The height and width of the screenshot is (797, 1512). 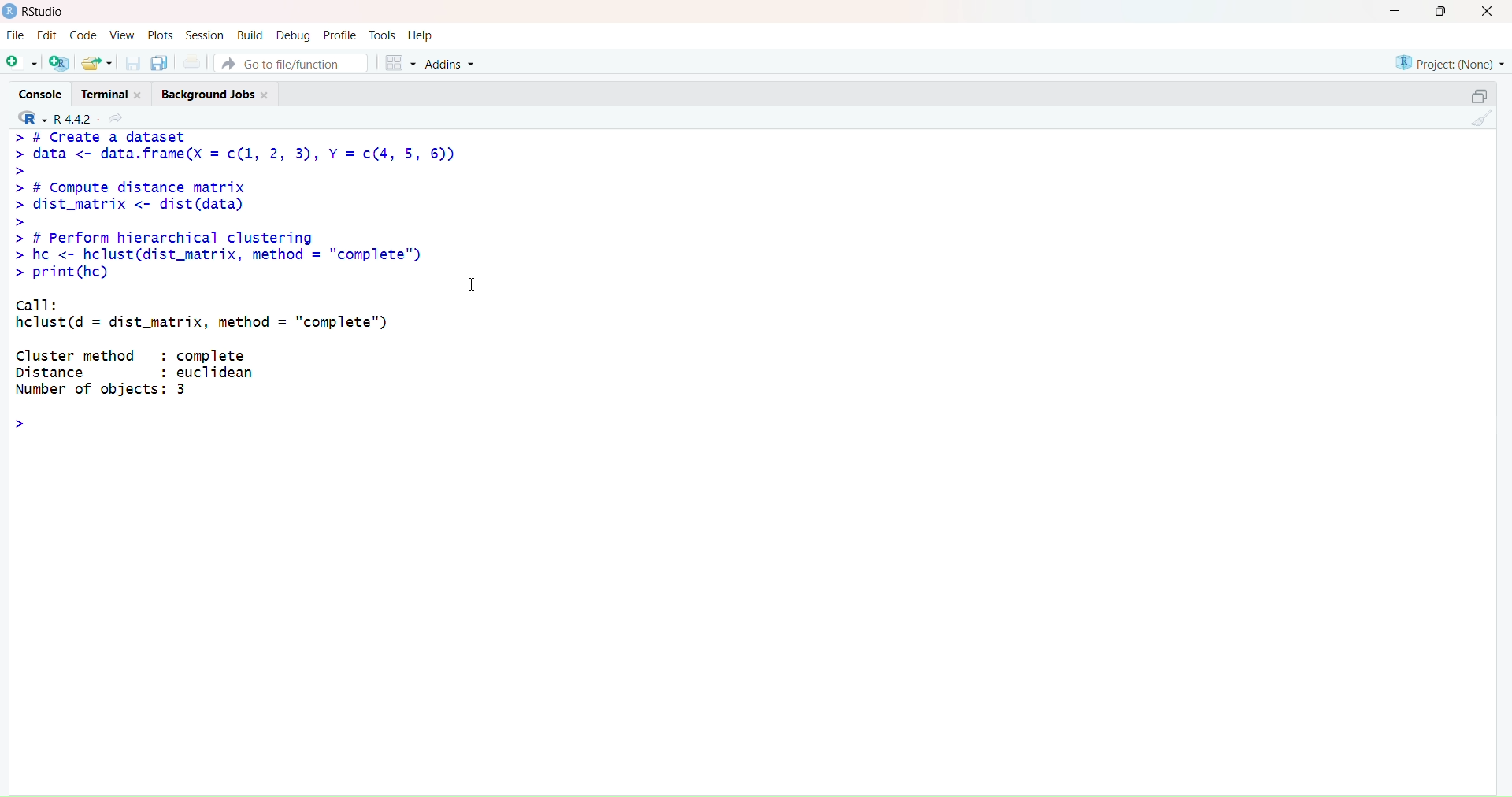 What do you see at coordinates (196, 60) in the screenshot?
I see `Save all open documents (Ctrl + Alt + S)` at bounding box center [196, 60].